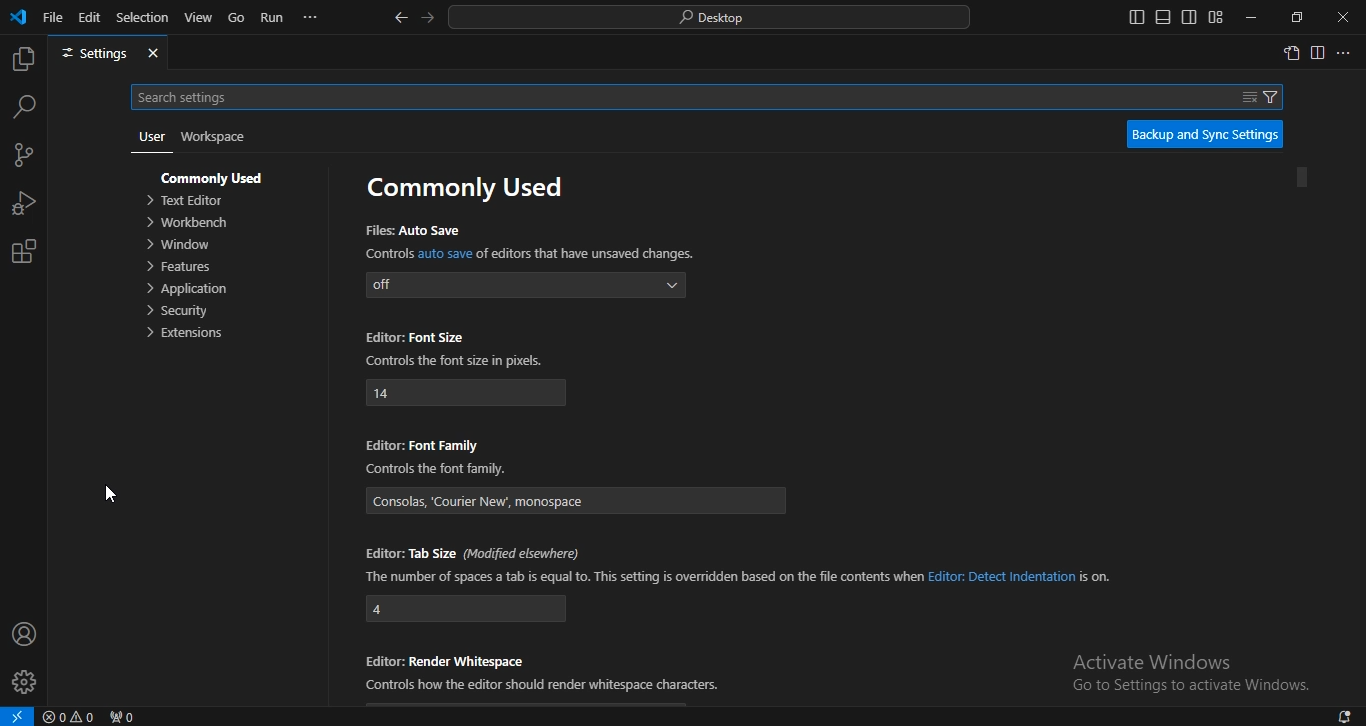  Describe the element at coordinates (25, 251) in the screenshot. I see `extension` at that location.